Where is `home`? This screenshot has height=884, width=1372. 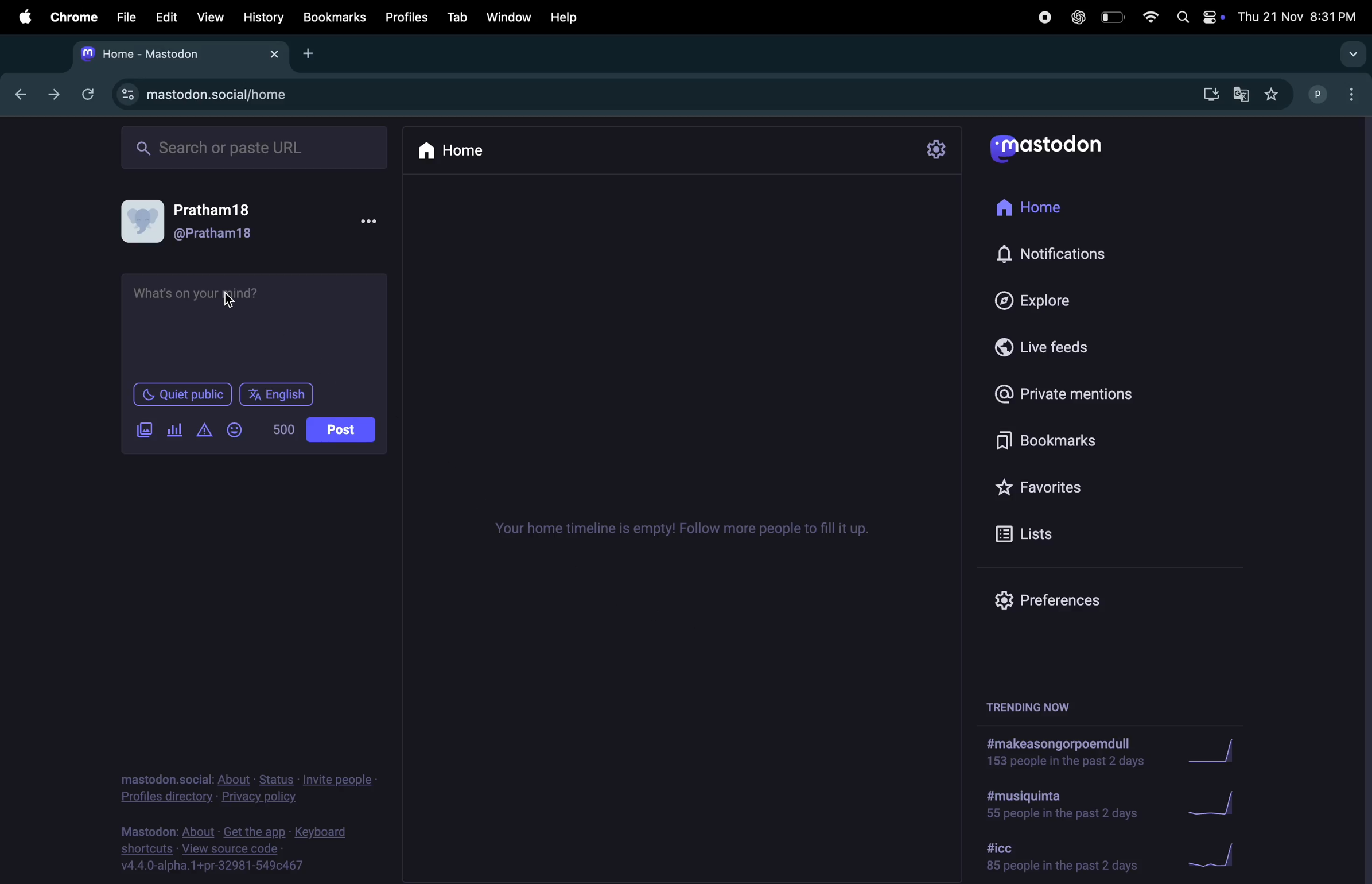 home is located at coordinates (482, 153).